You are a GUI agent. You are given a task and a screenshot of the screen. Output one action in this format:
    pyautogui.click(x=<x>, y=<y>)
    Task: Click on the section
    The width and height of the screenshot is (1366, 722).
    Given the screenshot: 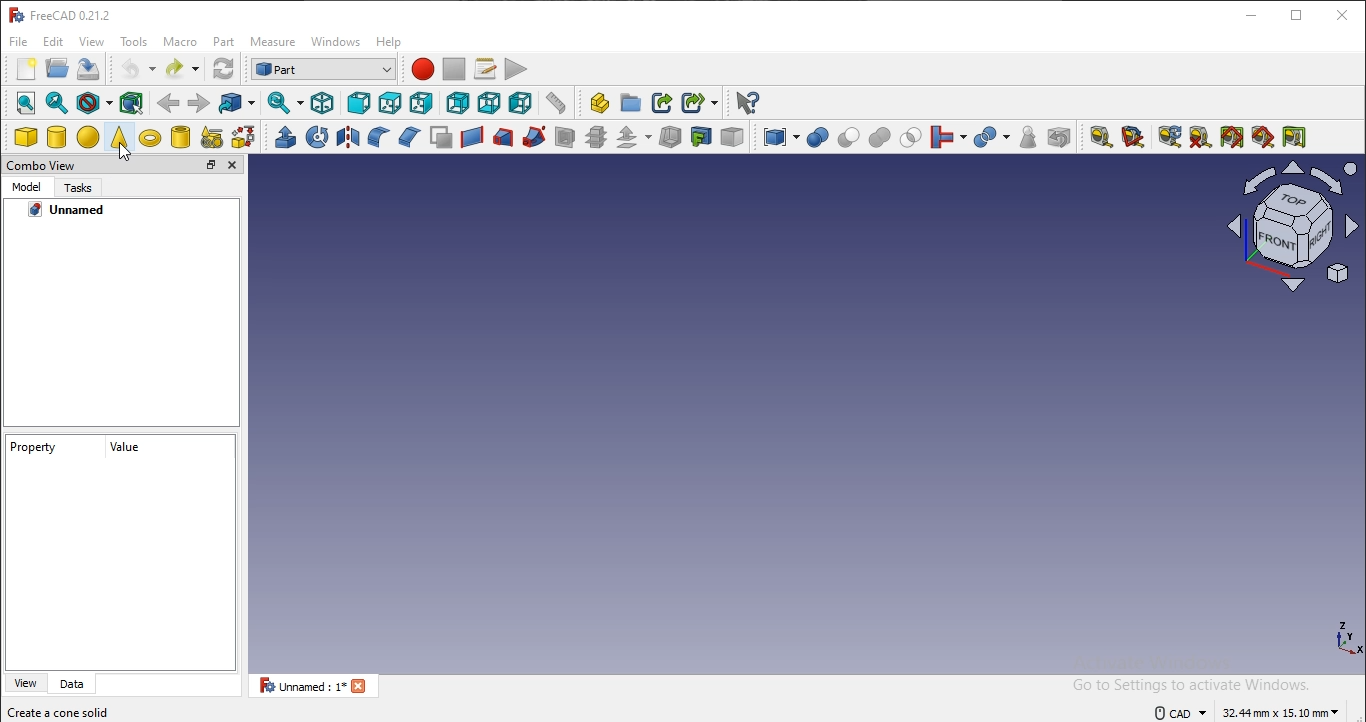 What is the action you would take?
    pyautogui.click(x=565, y=137)
    